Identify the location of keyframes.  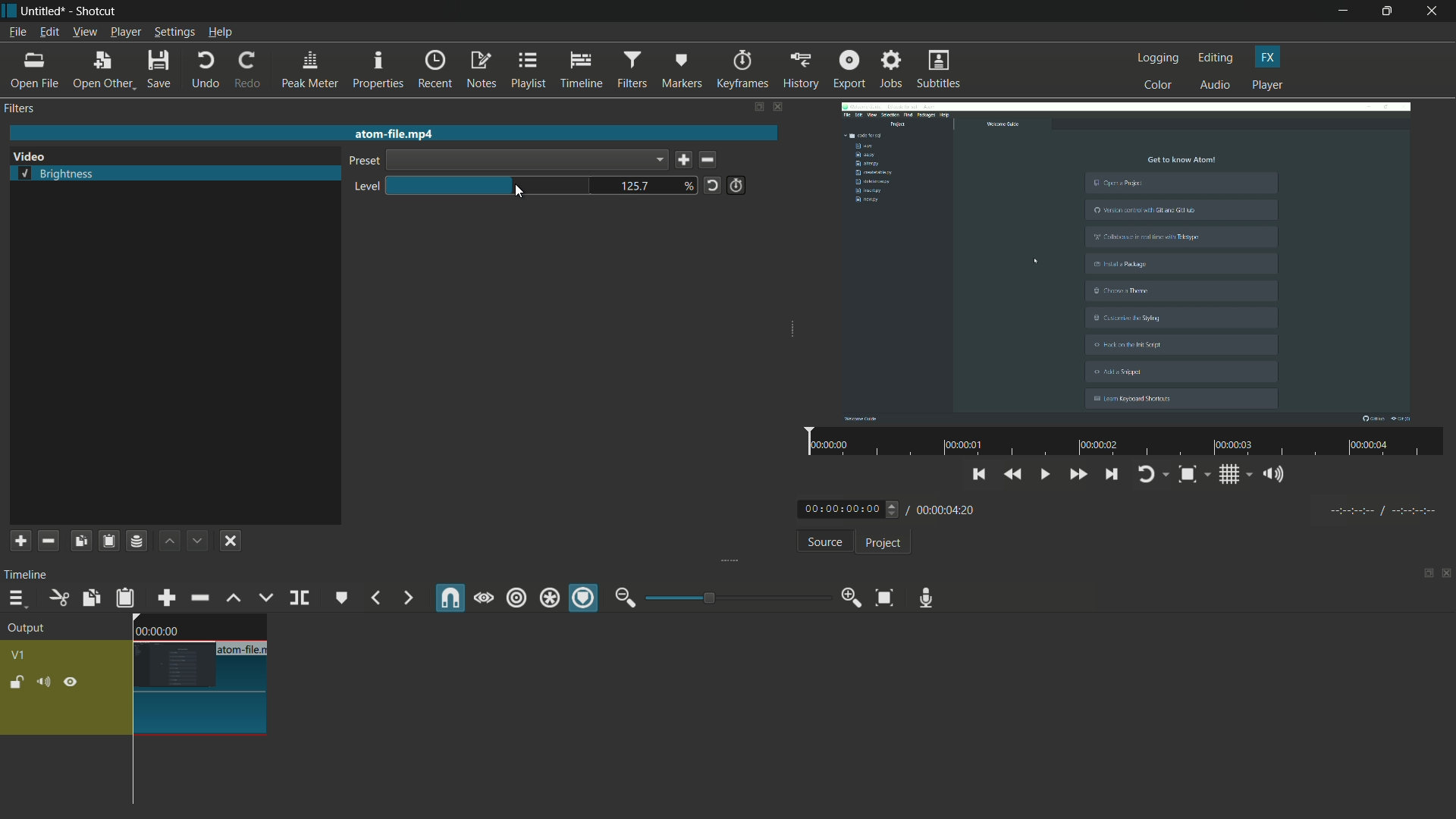
(742, 70).